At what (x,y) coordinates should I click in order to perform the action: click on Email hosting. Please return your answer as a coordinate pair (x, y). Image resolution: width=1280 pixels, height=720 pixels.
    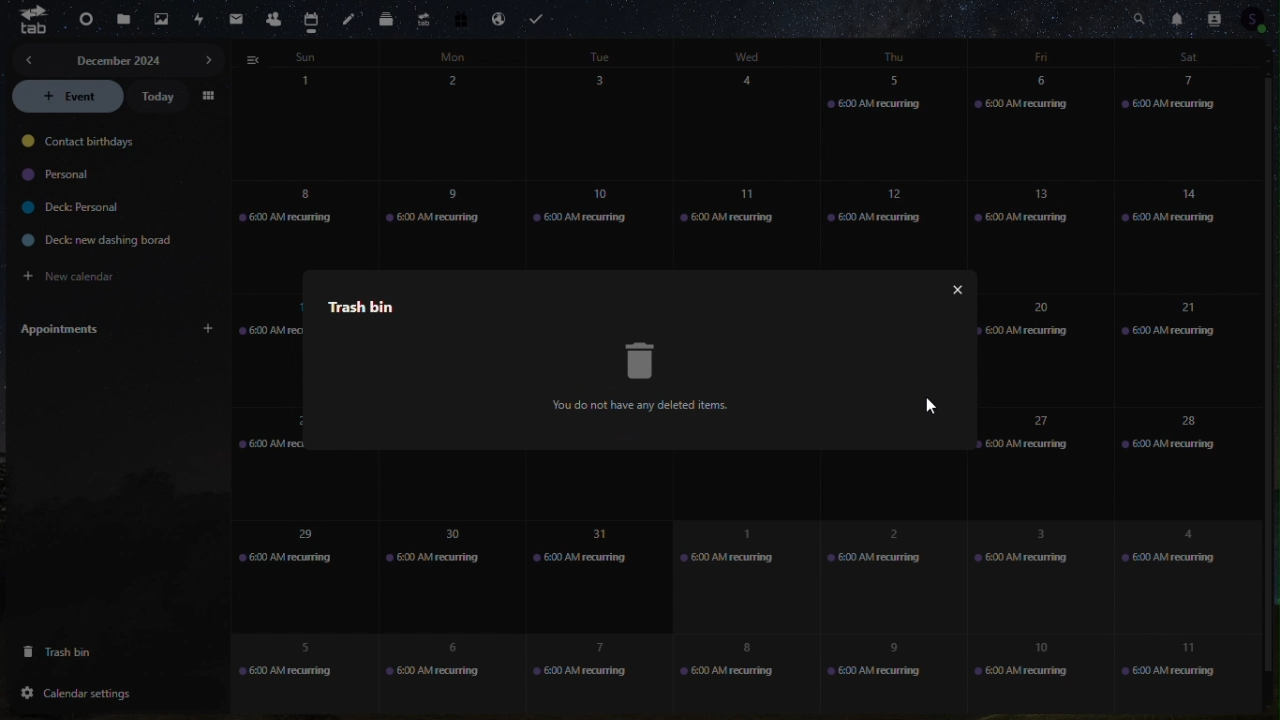
    Looking at the image, I should click on (499, 15).